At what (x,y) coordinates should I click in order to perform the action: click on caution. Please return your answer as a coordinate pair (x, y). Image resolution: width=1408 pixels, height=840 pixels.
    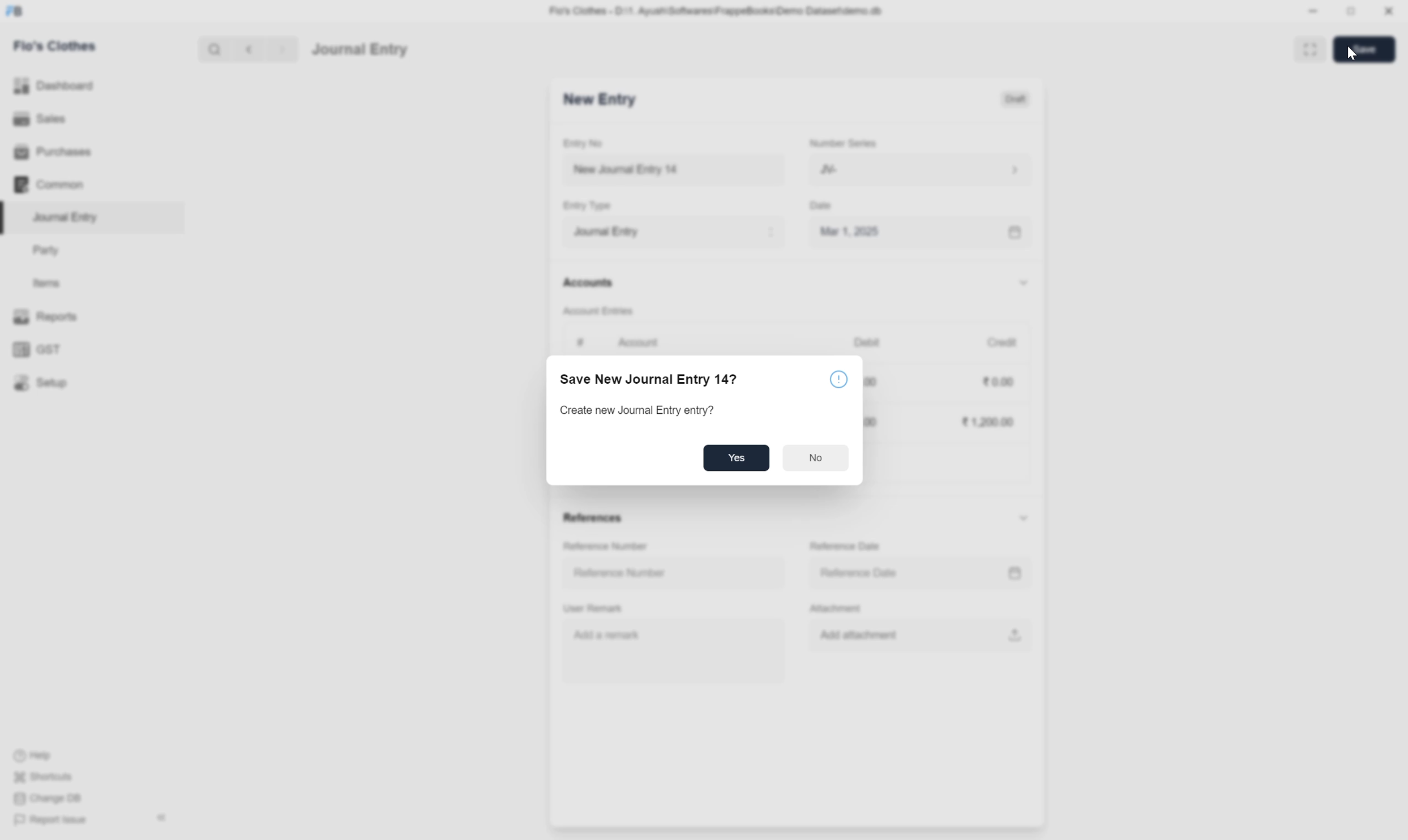
    Looking at the image, I should click on (841, 380).